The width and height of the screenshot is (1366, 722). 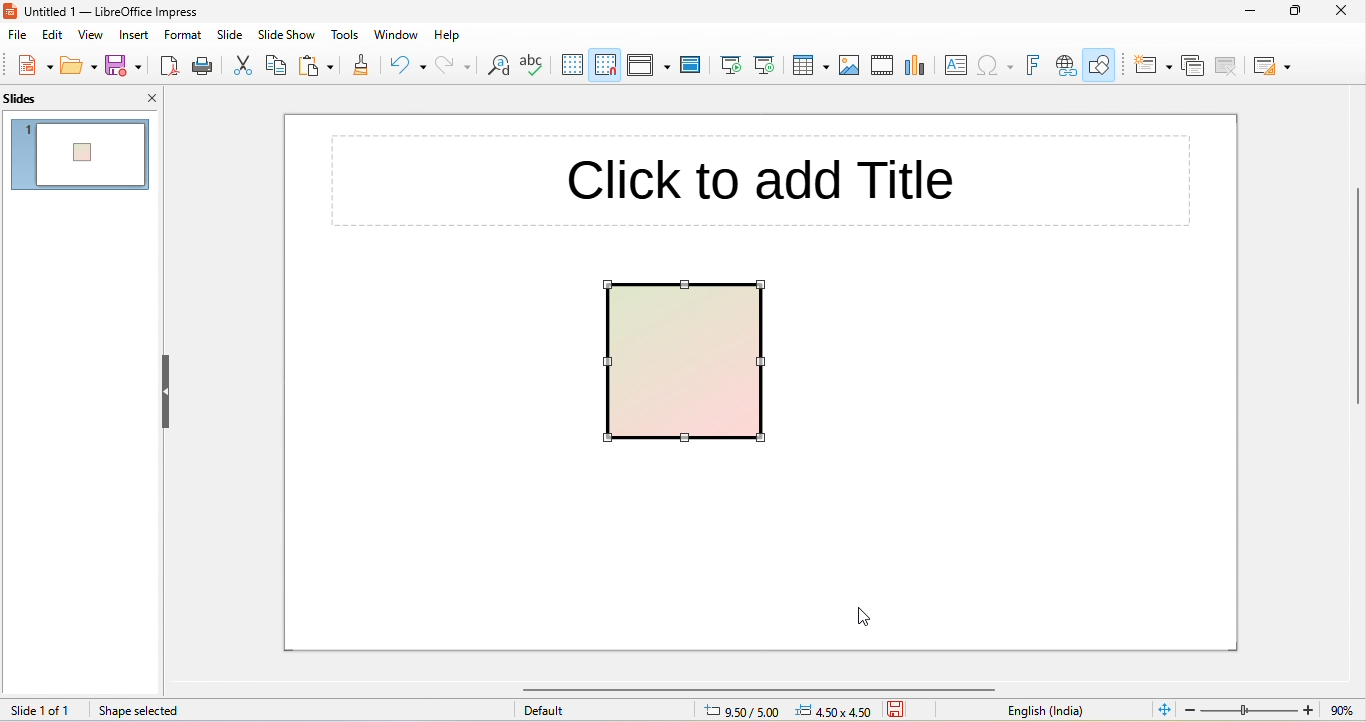 What do you see at coordinates (732, 65) in the screenshot?
I see `start from beginning` at bounding box center [732, 65].